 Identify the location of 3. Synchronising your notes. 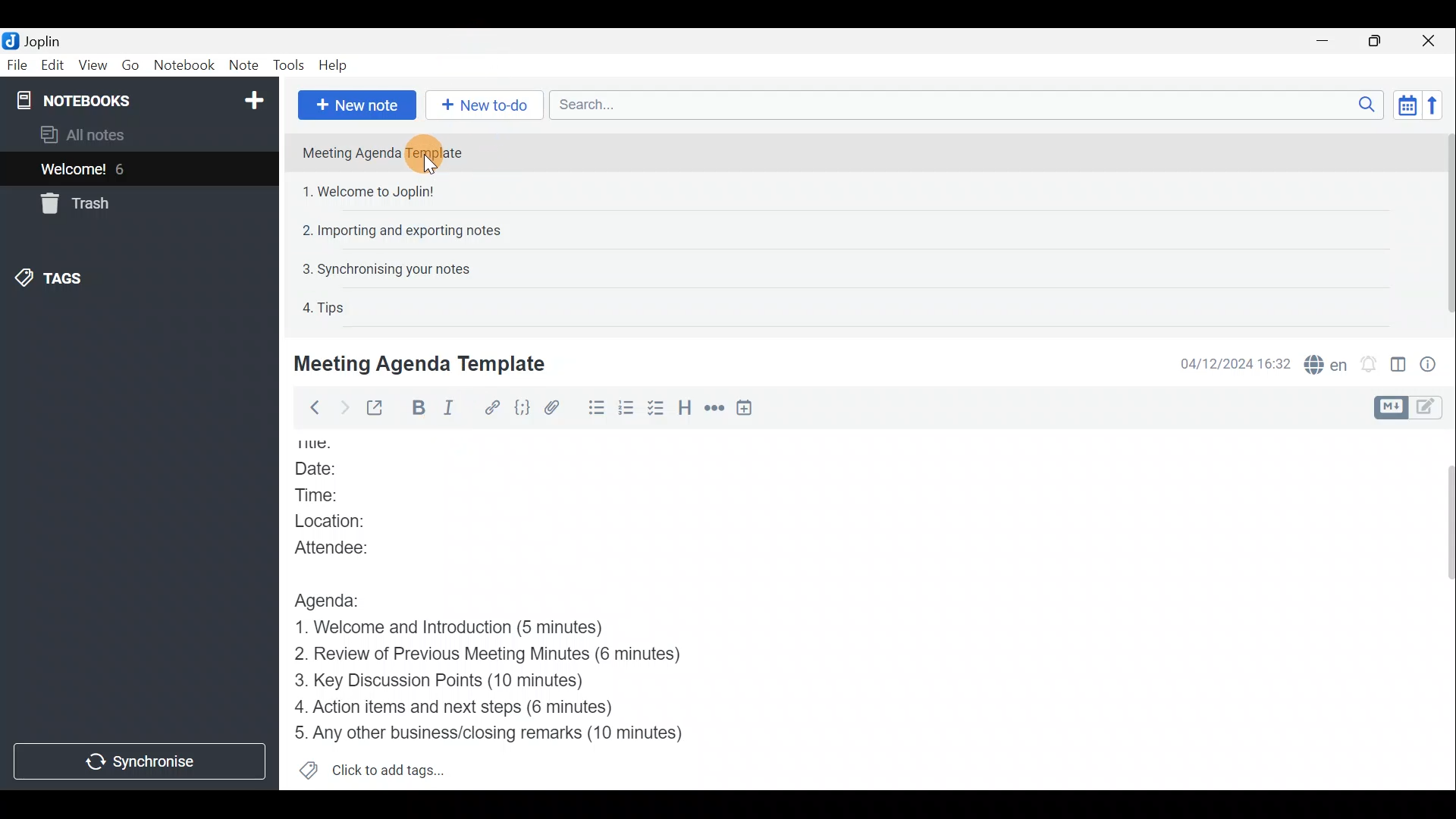
(386, 268).